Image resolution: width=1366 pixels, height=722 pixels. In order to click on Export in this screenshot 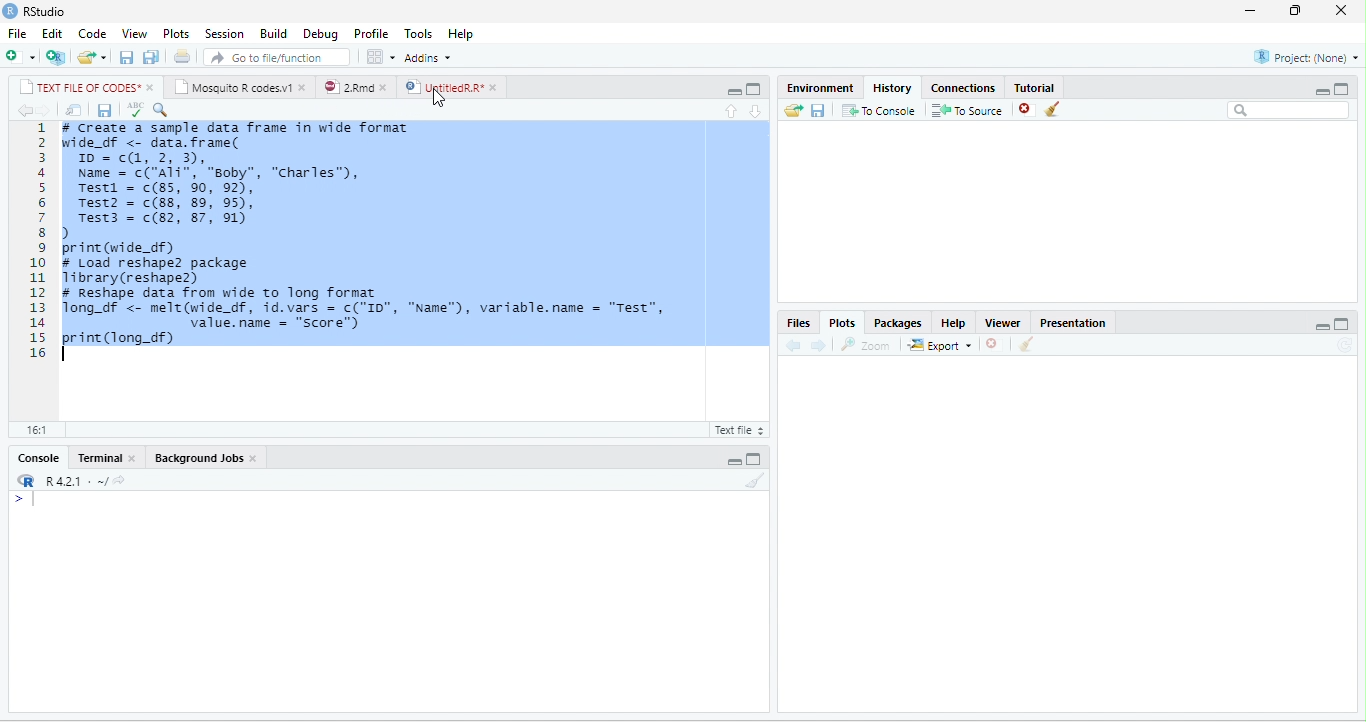, I will do `click(940, 344)`.